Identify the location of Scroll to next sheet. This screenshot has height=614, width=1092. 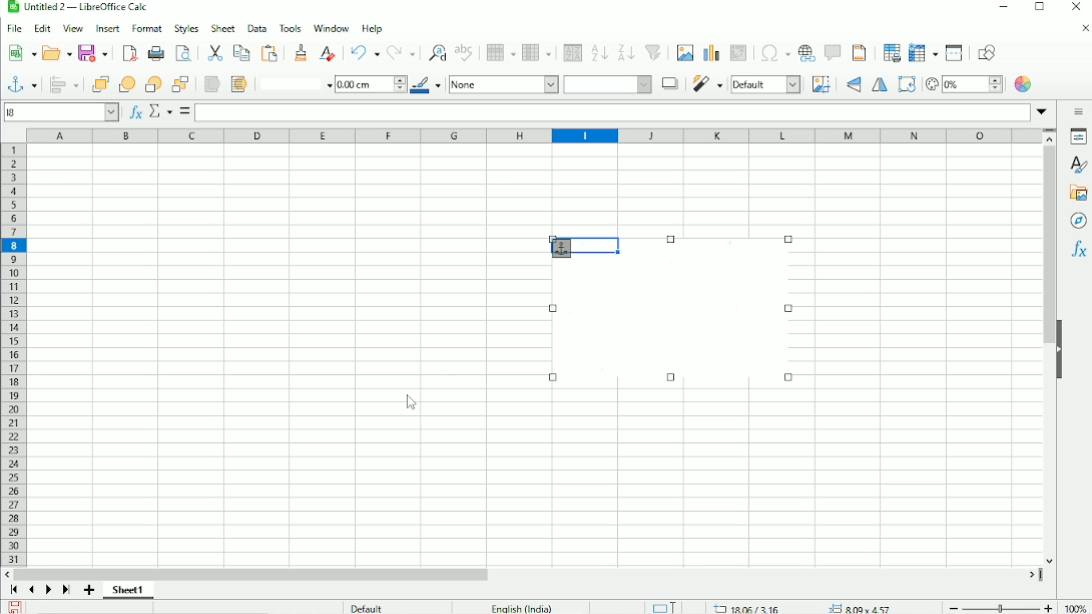
(49, 590).